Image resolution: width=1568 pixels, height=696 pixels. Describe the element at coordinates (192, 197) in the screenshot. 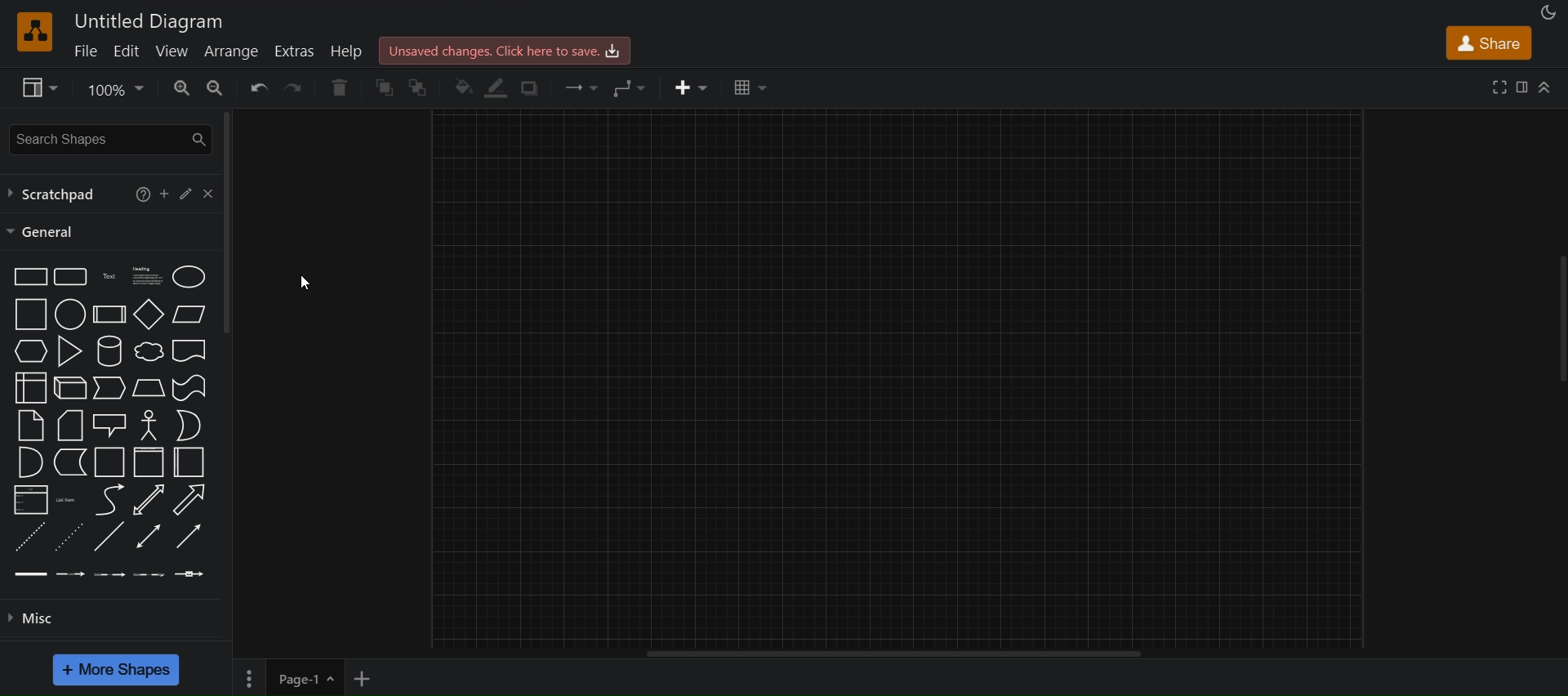

I see `edit` at that location.